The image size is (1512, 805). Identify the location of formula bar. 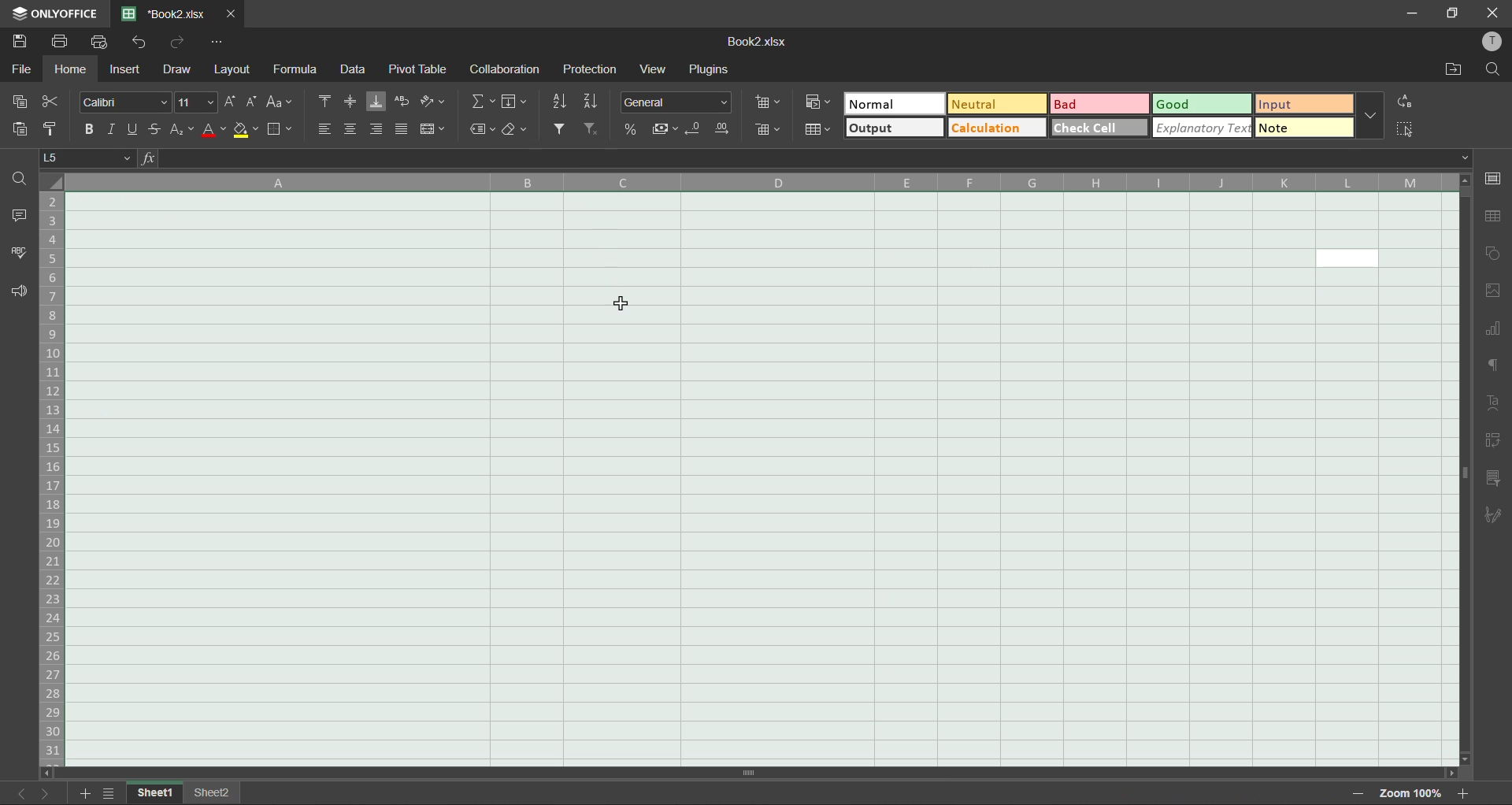
(805, 158).